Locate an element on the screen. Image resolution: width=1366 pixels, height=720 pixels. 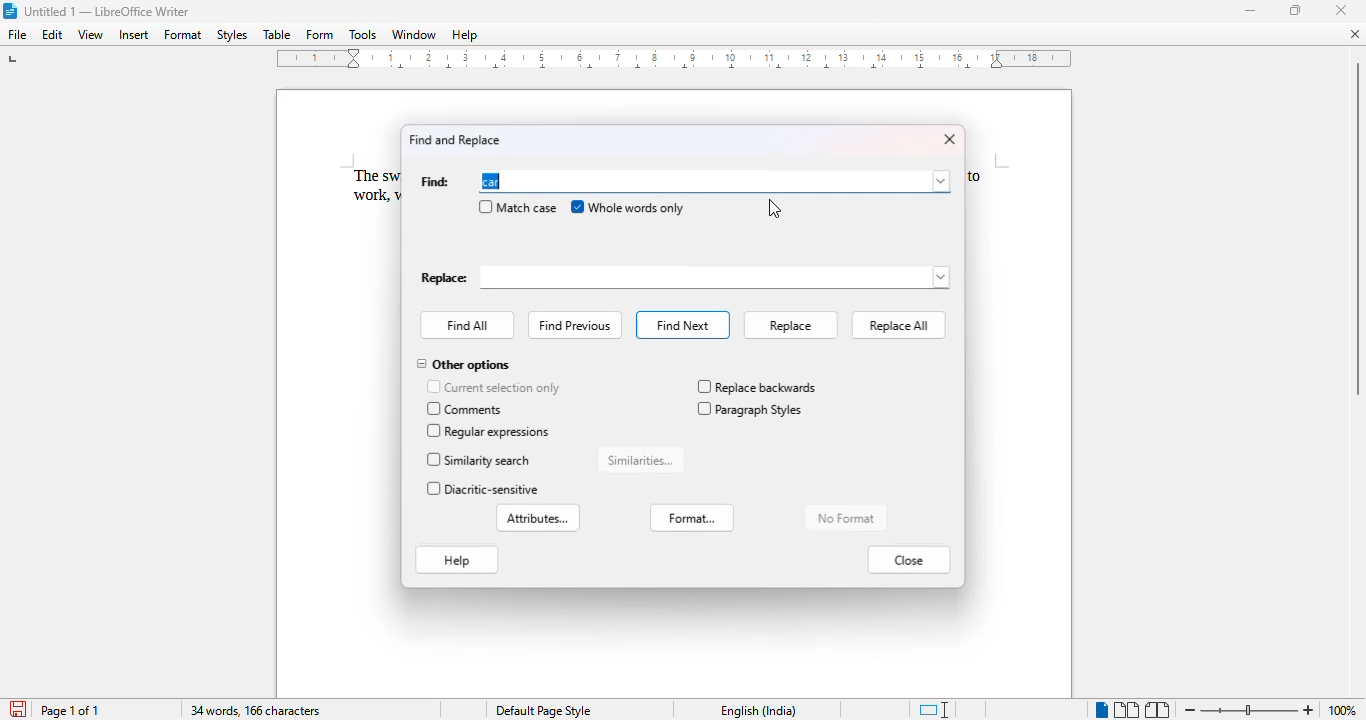
replace is located at coordinates (685, 278).